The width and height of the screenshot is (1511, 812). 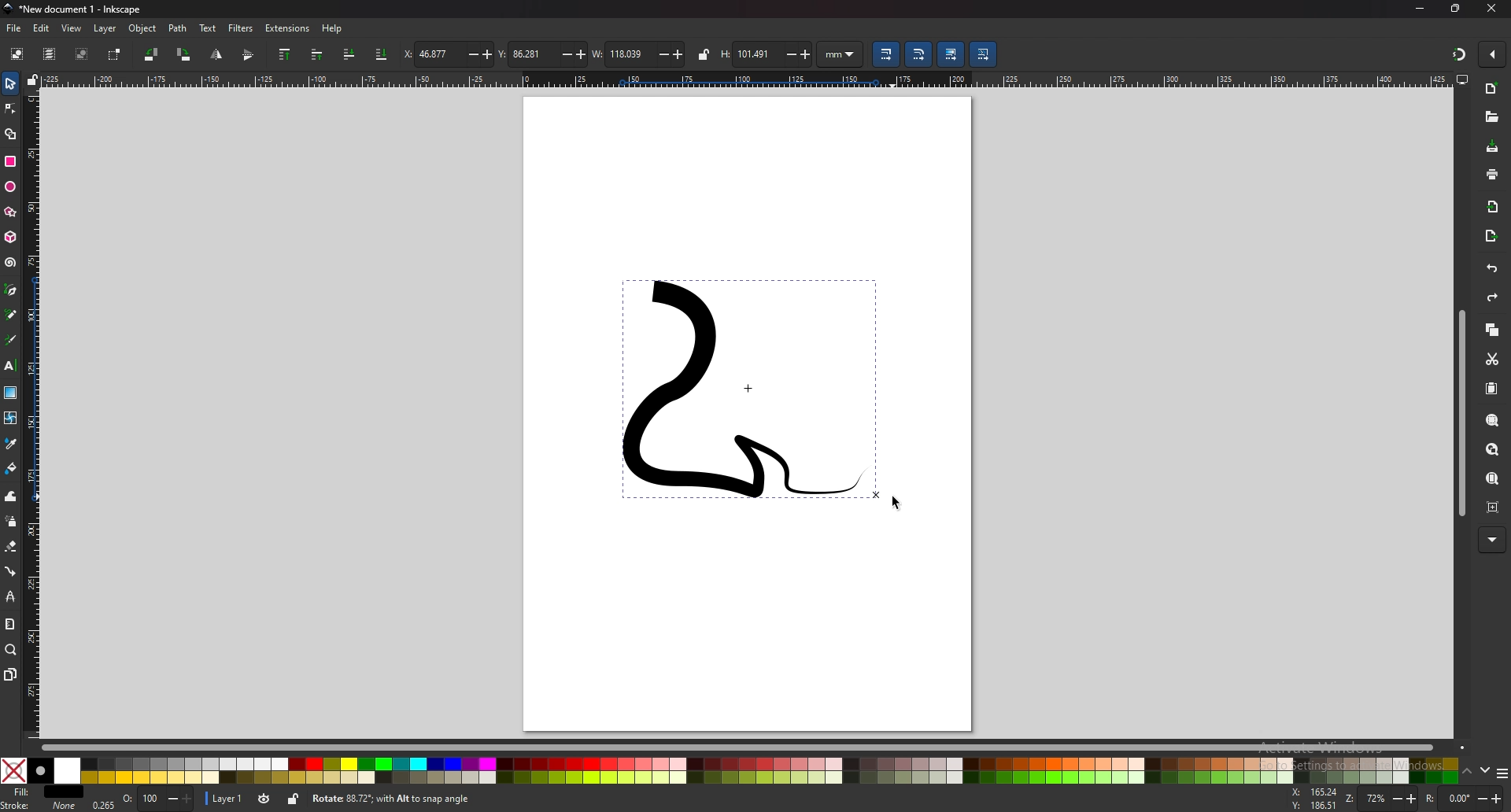 I want to click on extensions, so click(x=286, y=28).